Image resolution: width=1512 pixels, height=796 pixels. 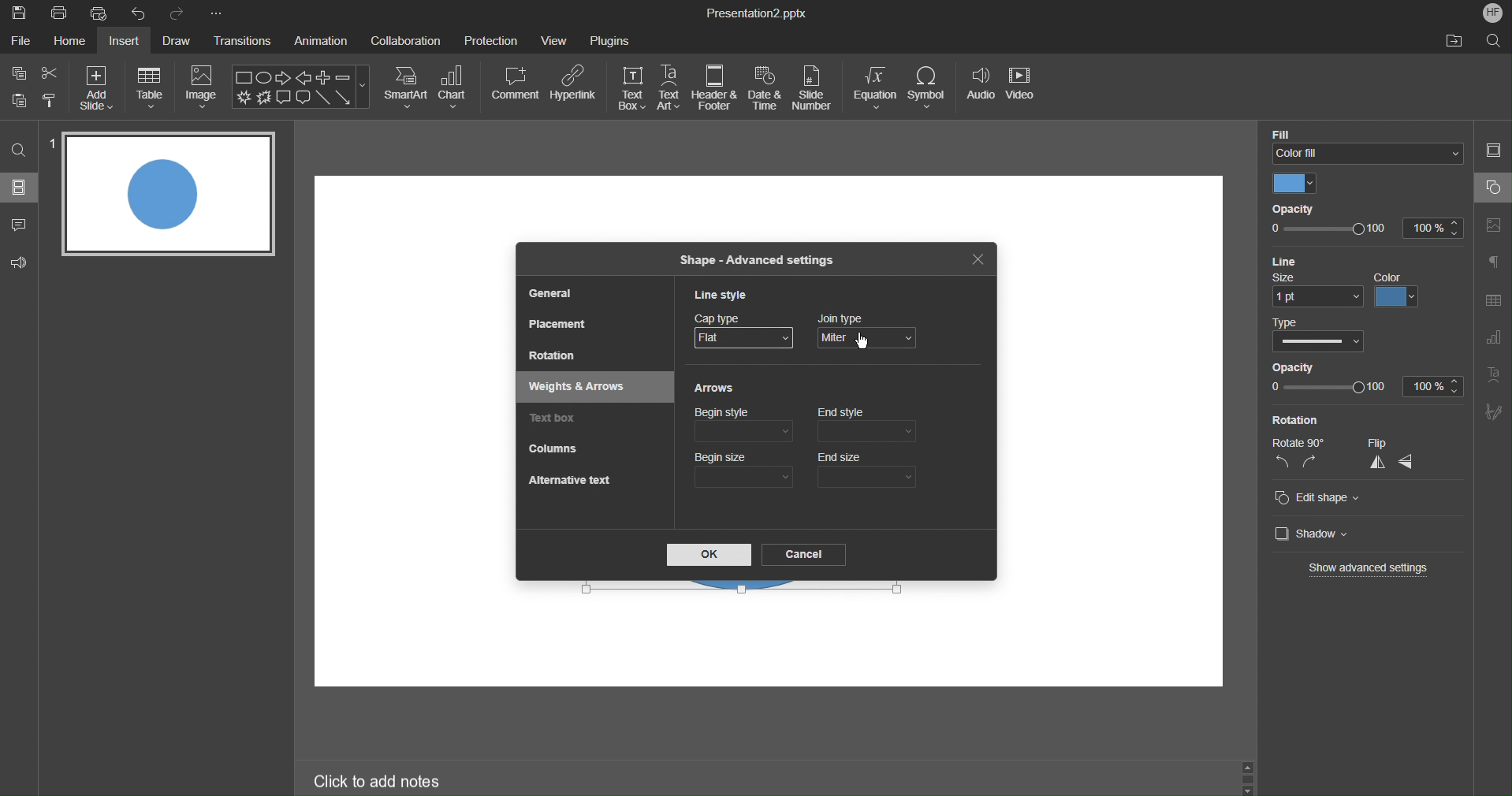 I want to click on Transitions, so click(x=244, y=43).